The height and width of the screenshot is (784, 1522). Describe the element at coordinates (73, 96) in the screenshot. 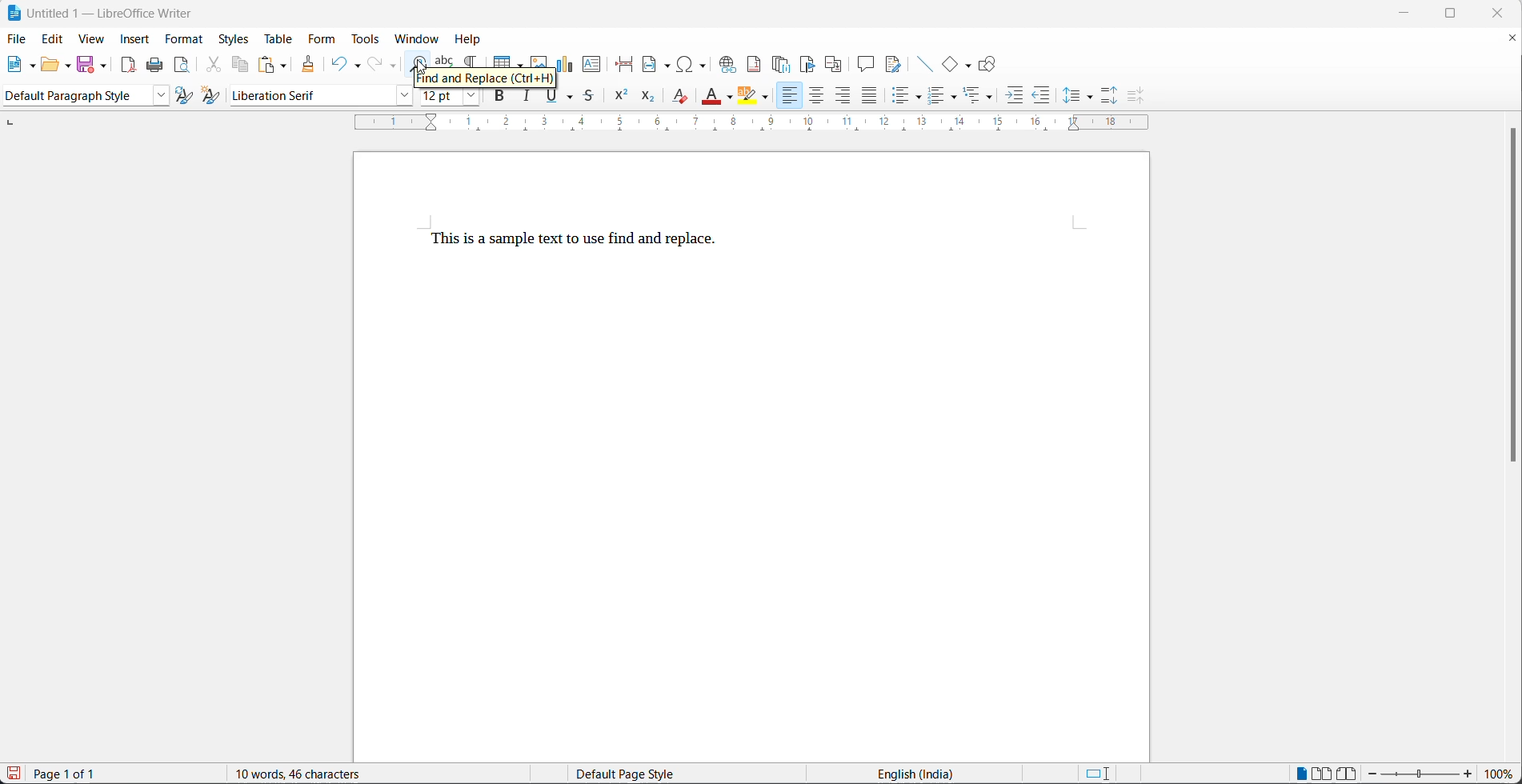

I see `paragraph style` at that location.